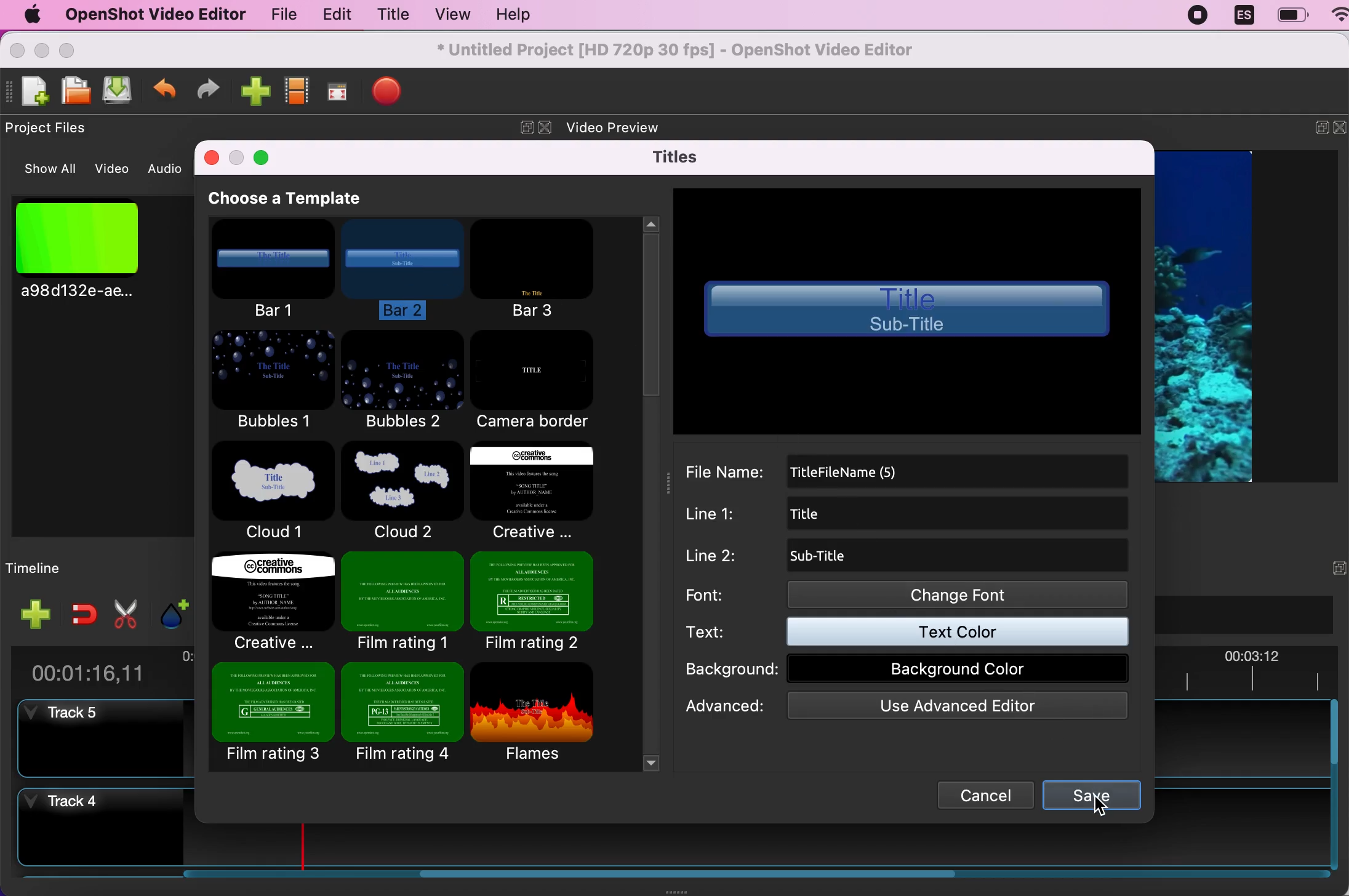  I want to click on save file, so click(121, 92).